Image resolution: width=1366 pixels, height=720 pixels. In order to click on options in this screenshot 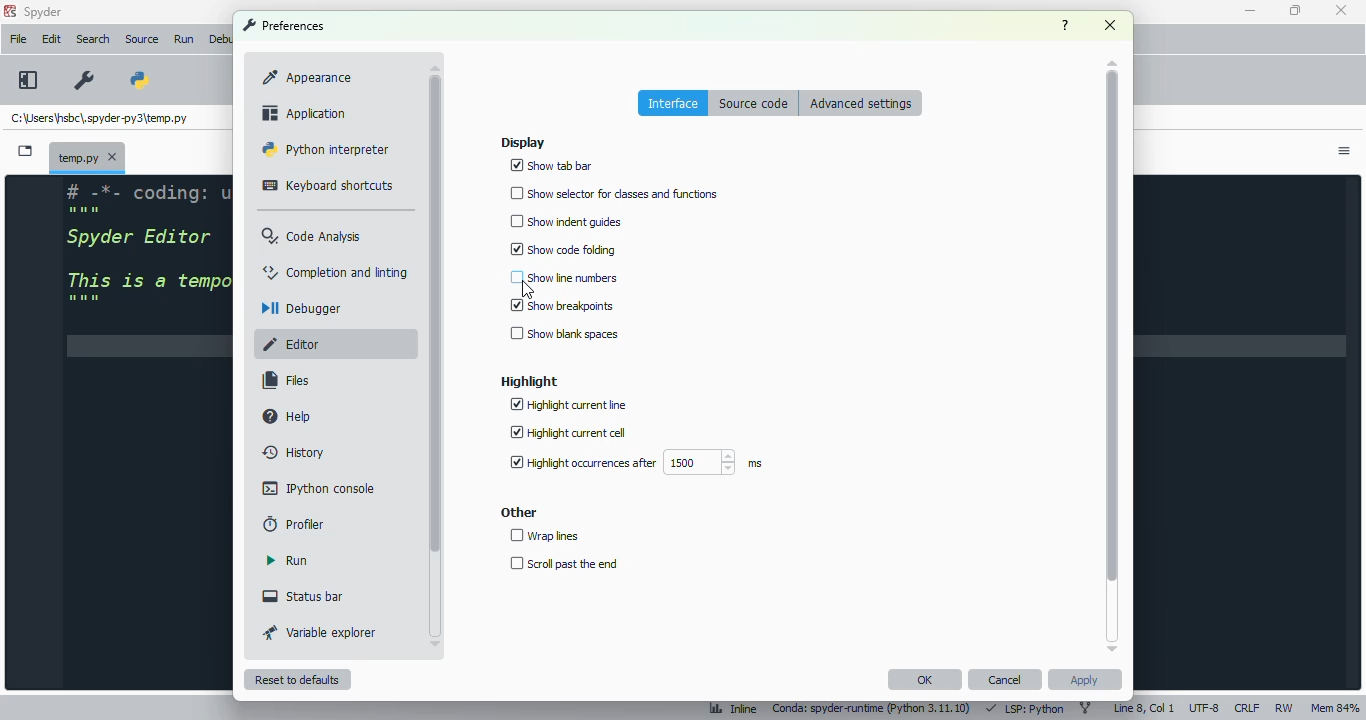, I will do `click(1346, 153)`.